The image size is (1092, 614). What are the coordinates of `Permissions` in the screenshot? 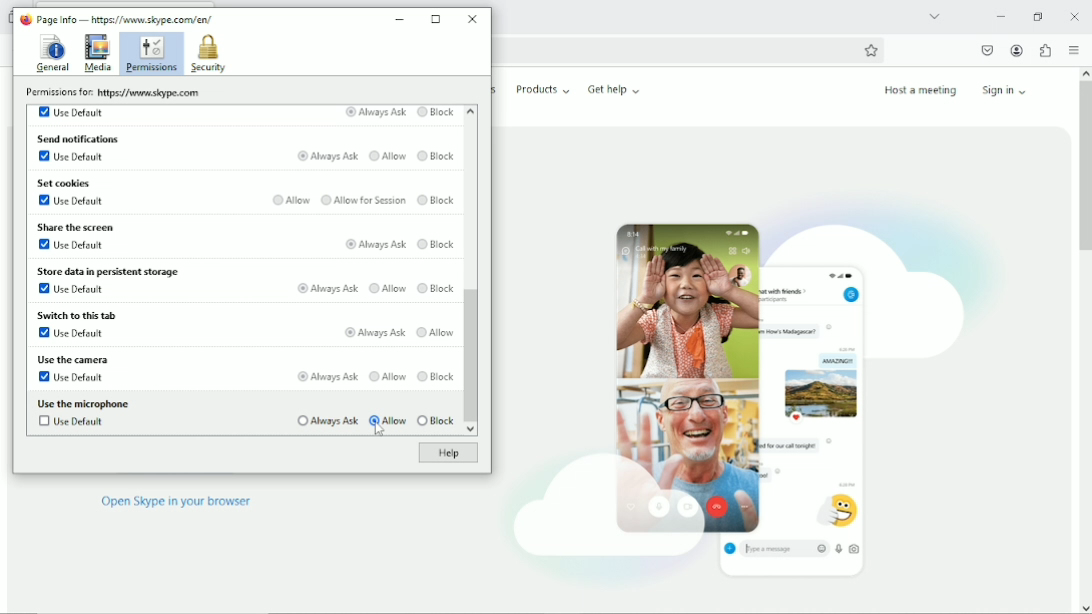 It's located at (150, 54).